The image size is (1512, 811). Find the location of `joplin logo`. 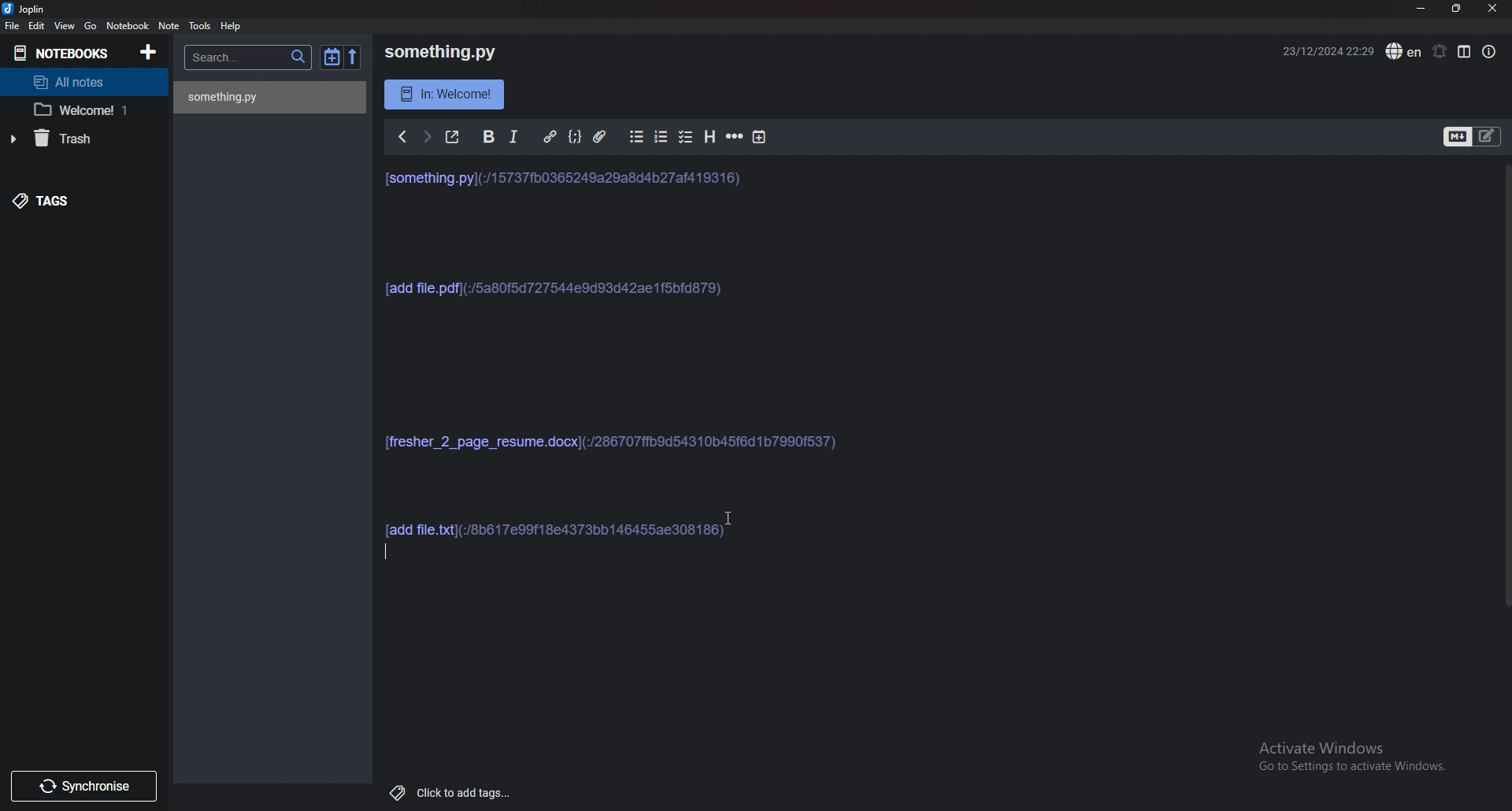

joplin logo is located at coordinates (9, 10).